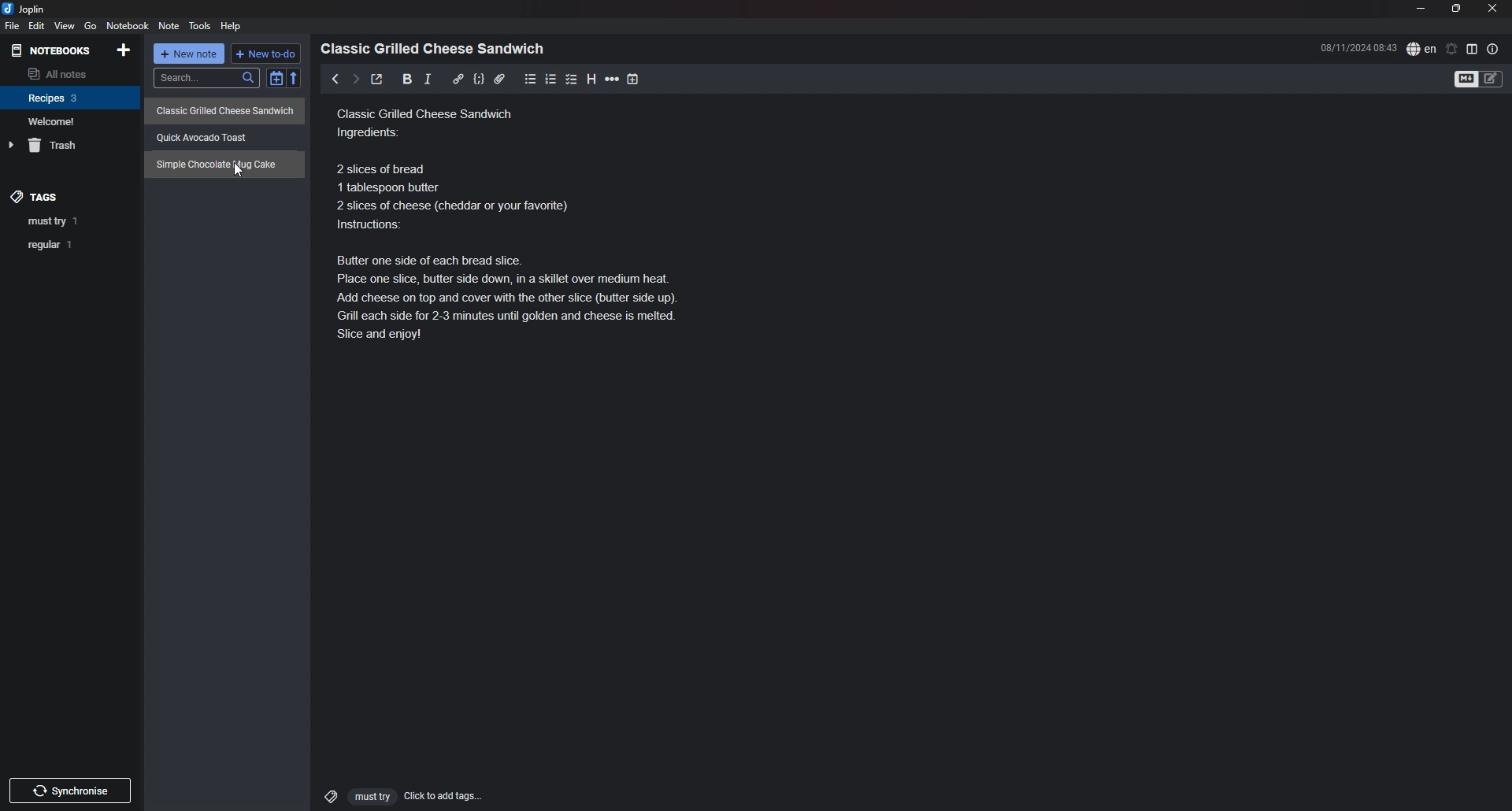 Image resolution: width=1512 pixels, height=811 pixels. What do you see at coordinates (478, 79) in the screenshot?
I see `code` at bounding box center [478, 79].